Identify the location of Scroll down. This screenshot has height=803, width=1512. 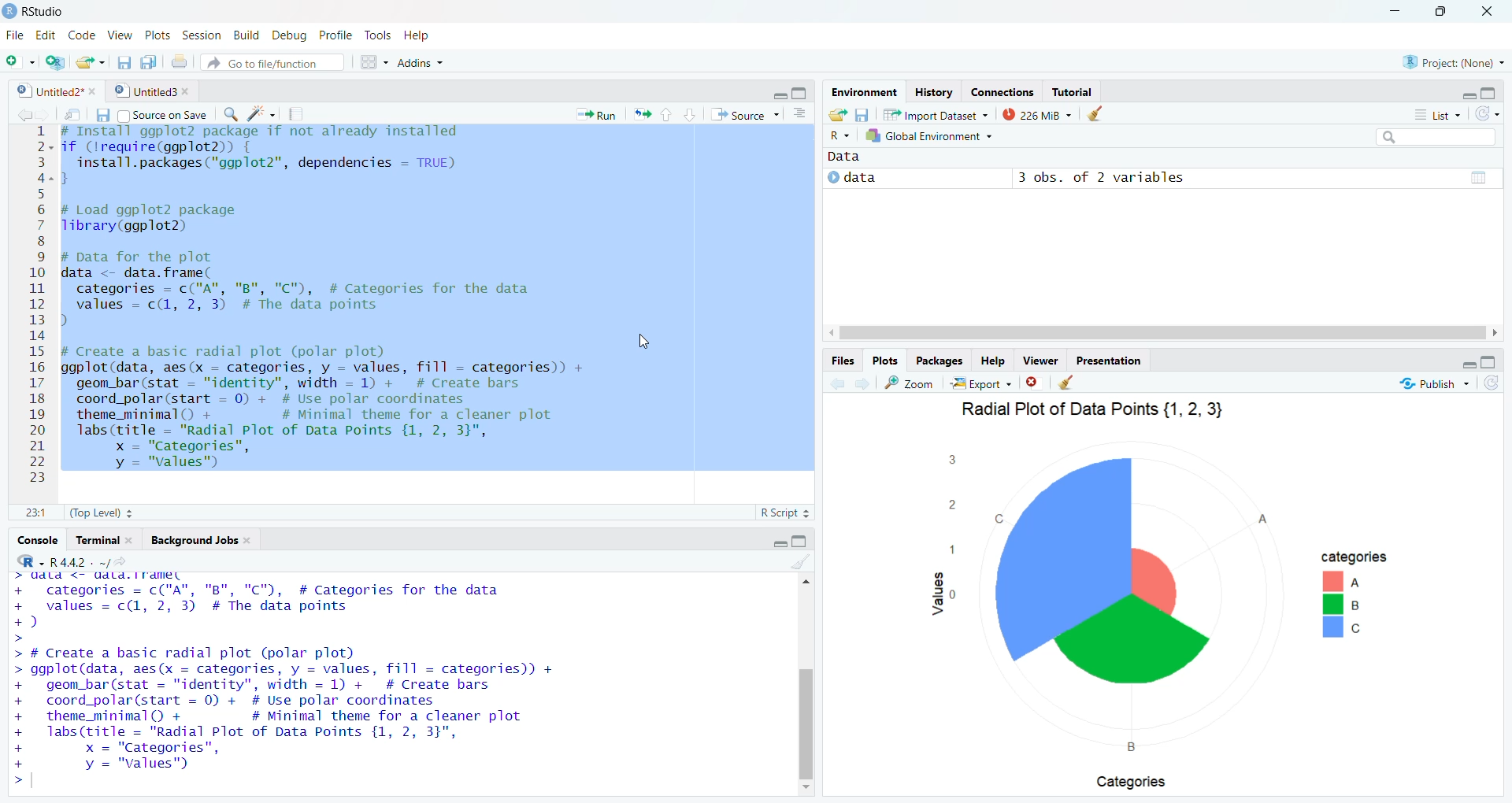
(805, 789).